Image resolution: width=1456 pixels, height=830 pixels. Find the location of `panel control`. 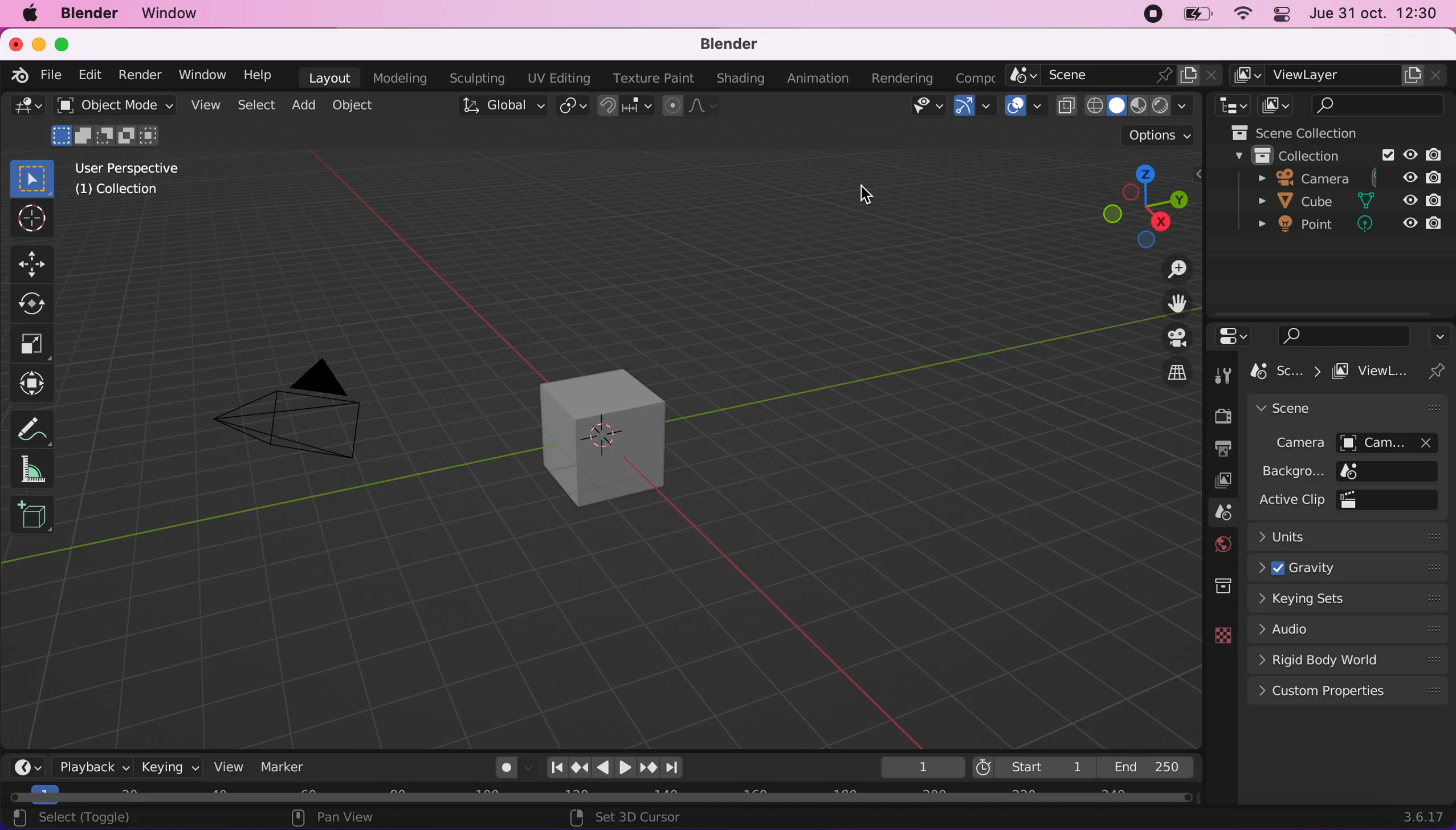

panel control is located at coordinates (1284, 15).